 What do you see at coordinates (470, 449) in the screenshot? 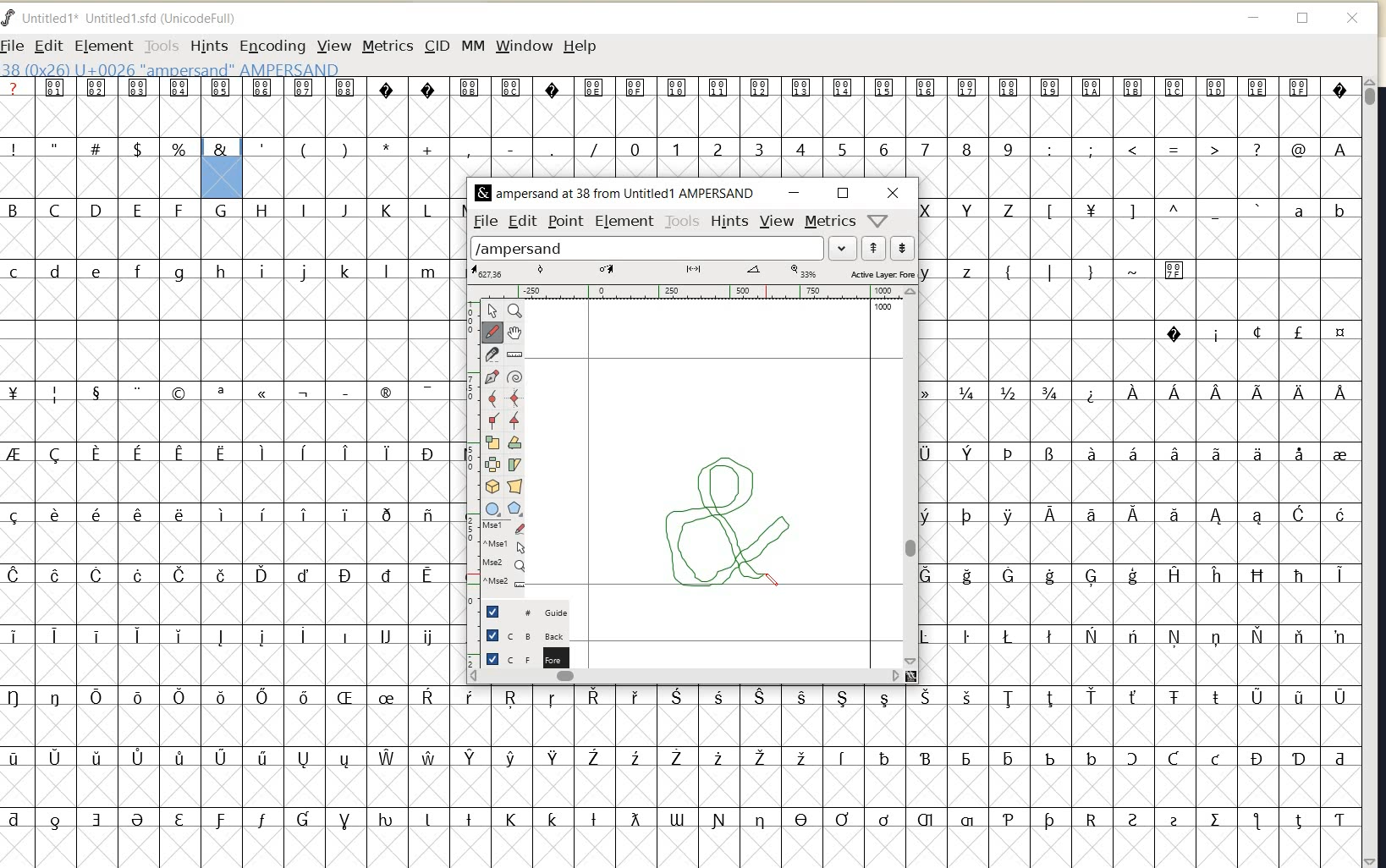
I see `SCALE` at bounding box center [470, 449].